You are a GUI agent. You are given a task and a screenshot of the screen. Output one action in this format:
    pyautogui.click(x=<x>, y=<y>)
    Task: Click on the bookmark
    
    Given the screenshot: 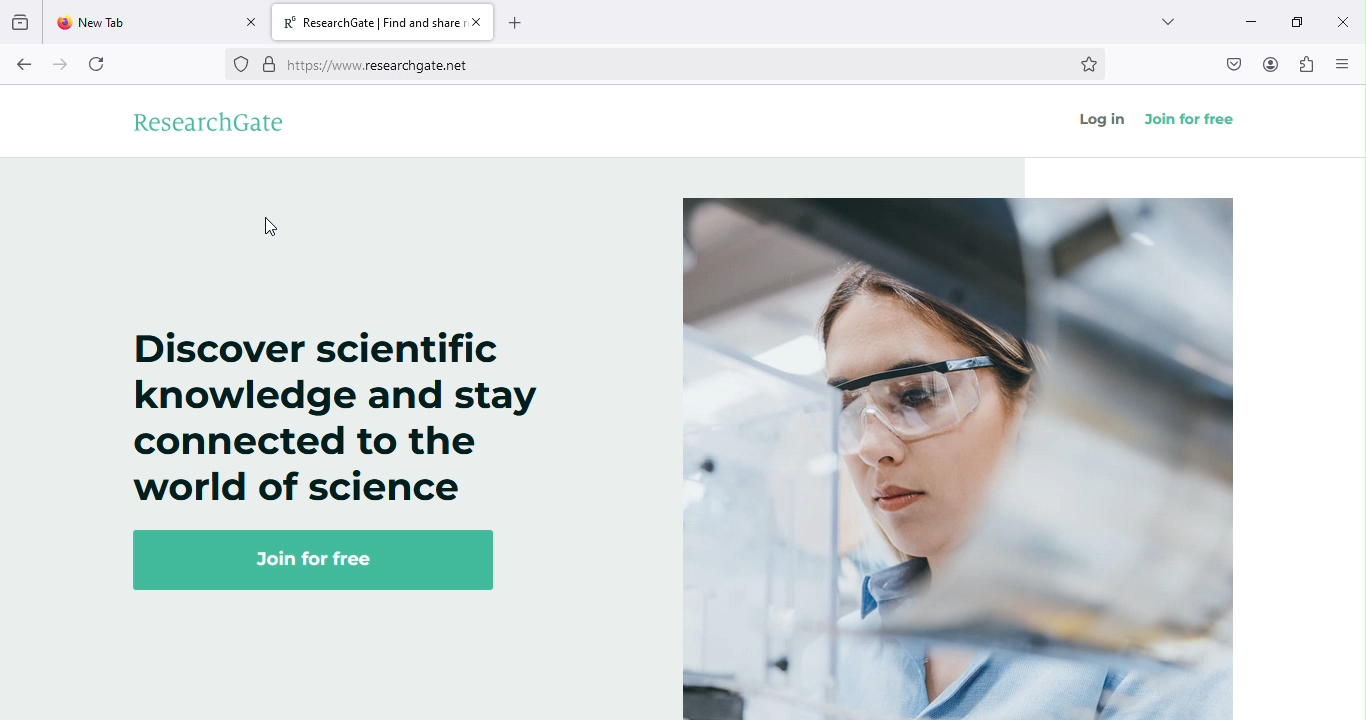 What is the action you would take?
    pyautogui.click(x=1091, y=65)
    